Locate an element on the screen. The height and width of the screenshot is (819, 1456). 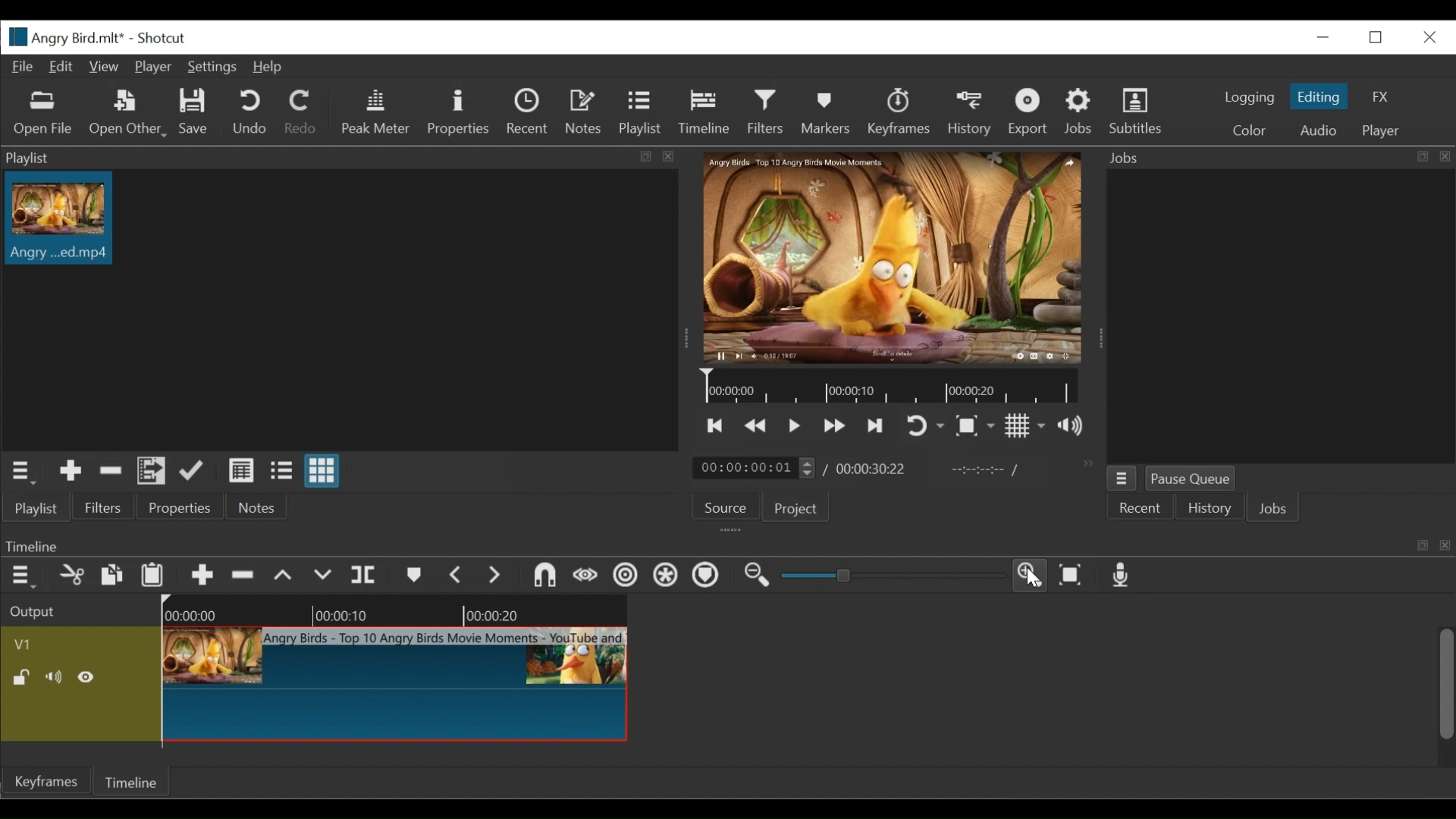
Timeline is located at coordinates (393, 608).